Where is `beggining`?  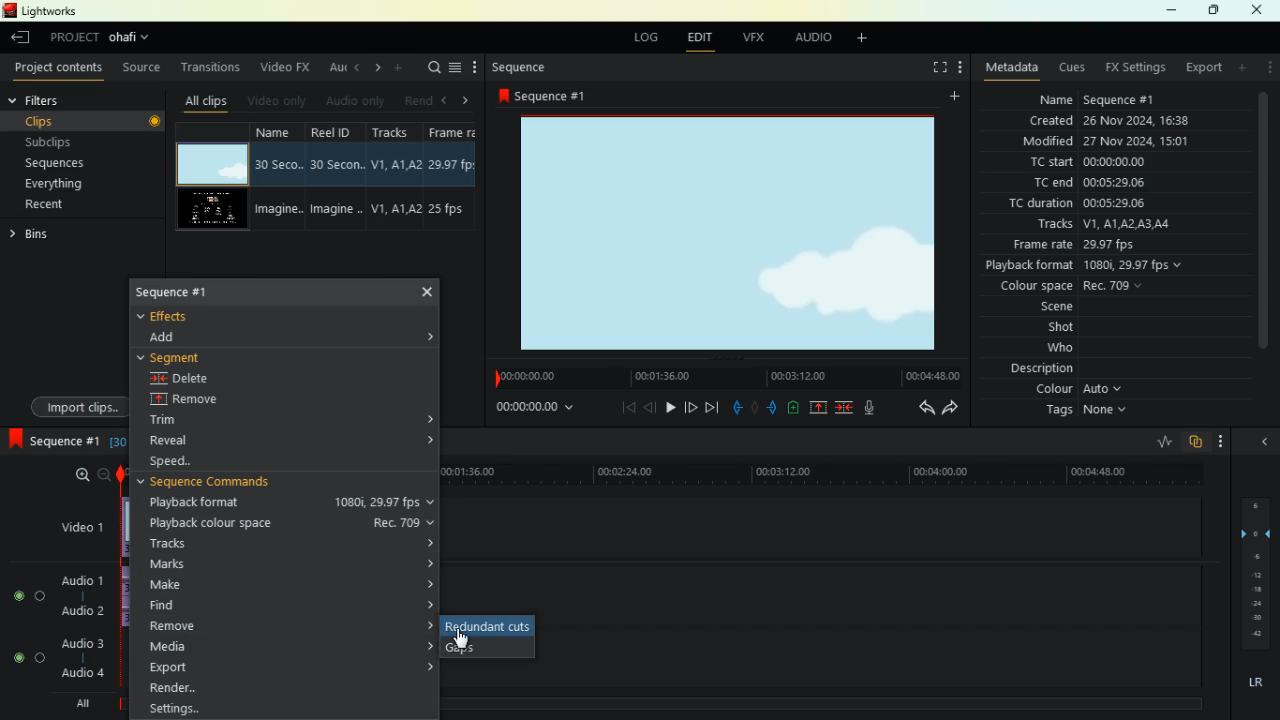 beggining is located at coordinates (624, 407).